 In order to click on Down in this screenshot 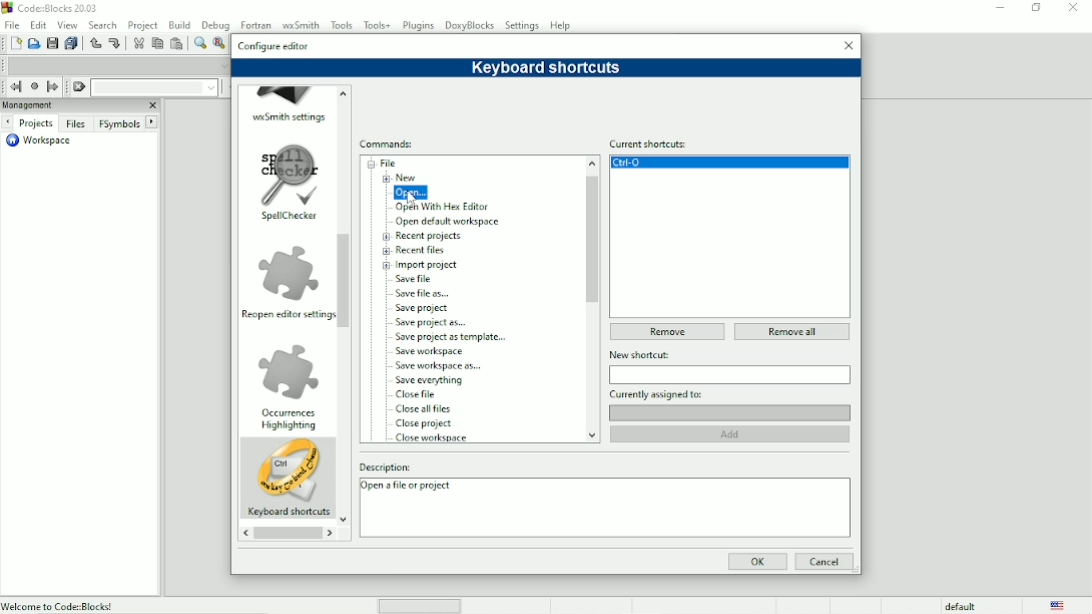, I will do `click(591, 433)`.